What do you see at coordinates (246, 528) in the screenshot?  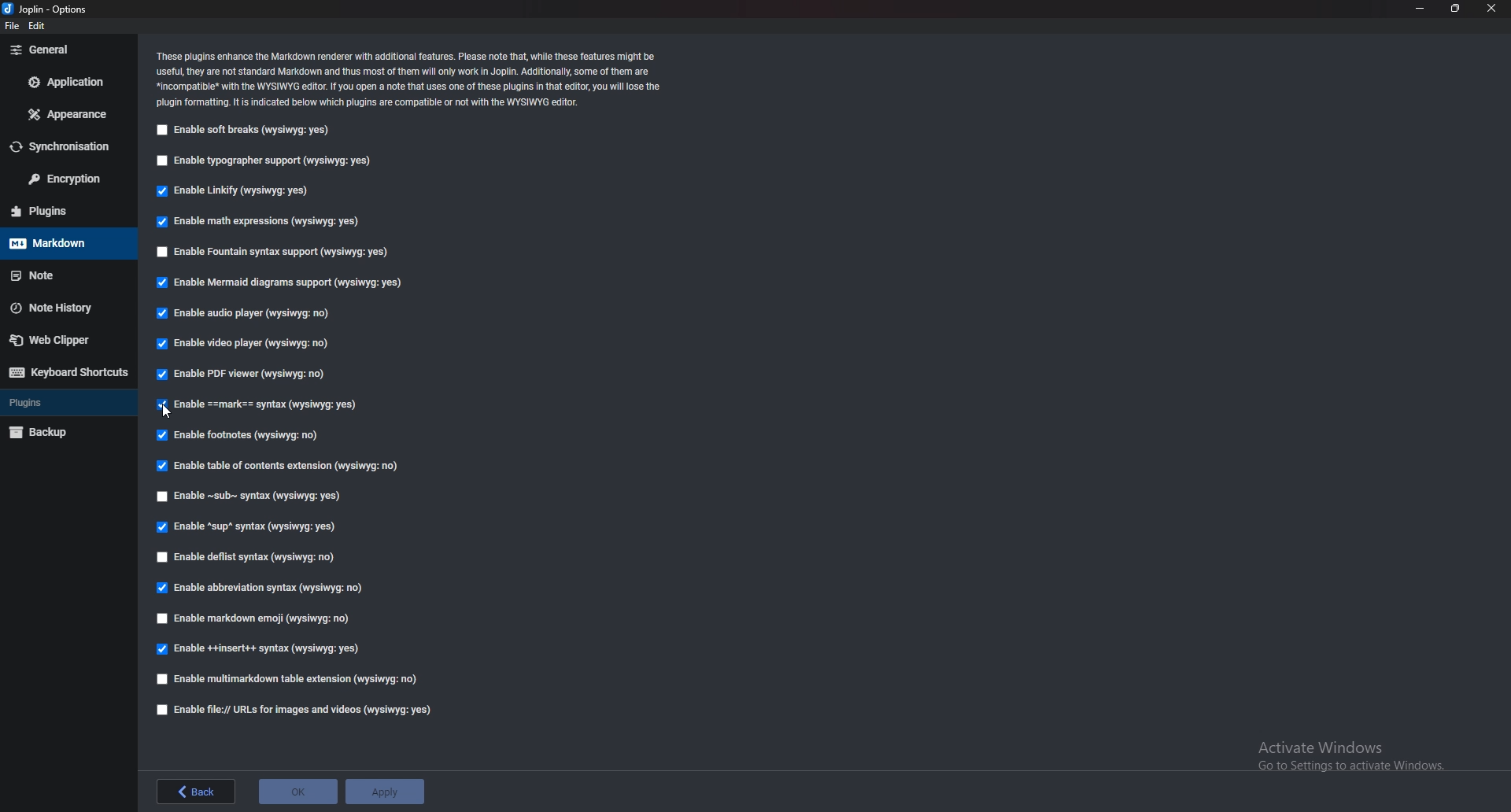 I see `Enable sup syntax` at bounding box center [246, 528].